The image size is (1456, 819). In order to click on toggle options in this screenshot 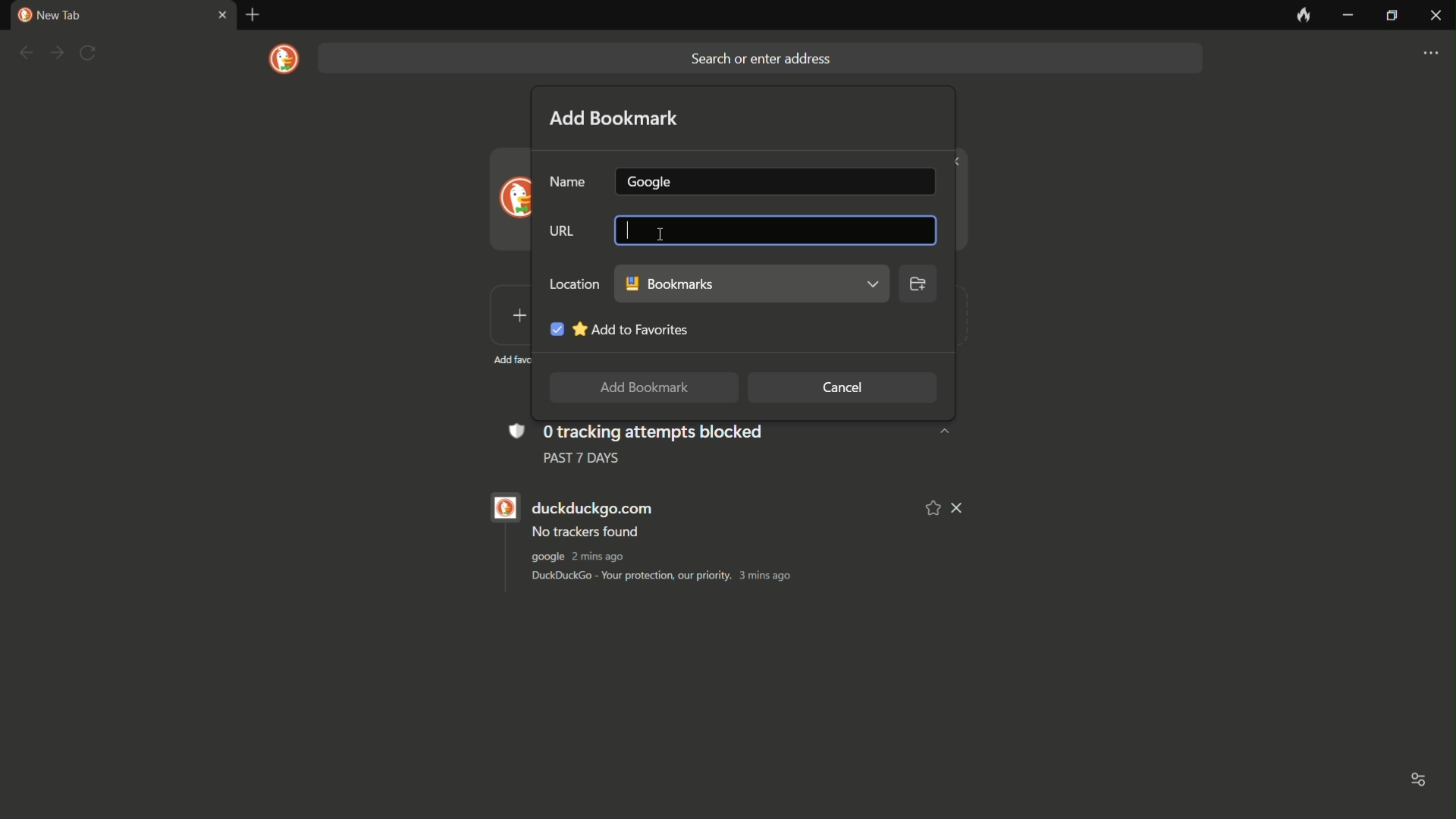, I will do `click(1419, 782)`.